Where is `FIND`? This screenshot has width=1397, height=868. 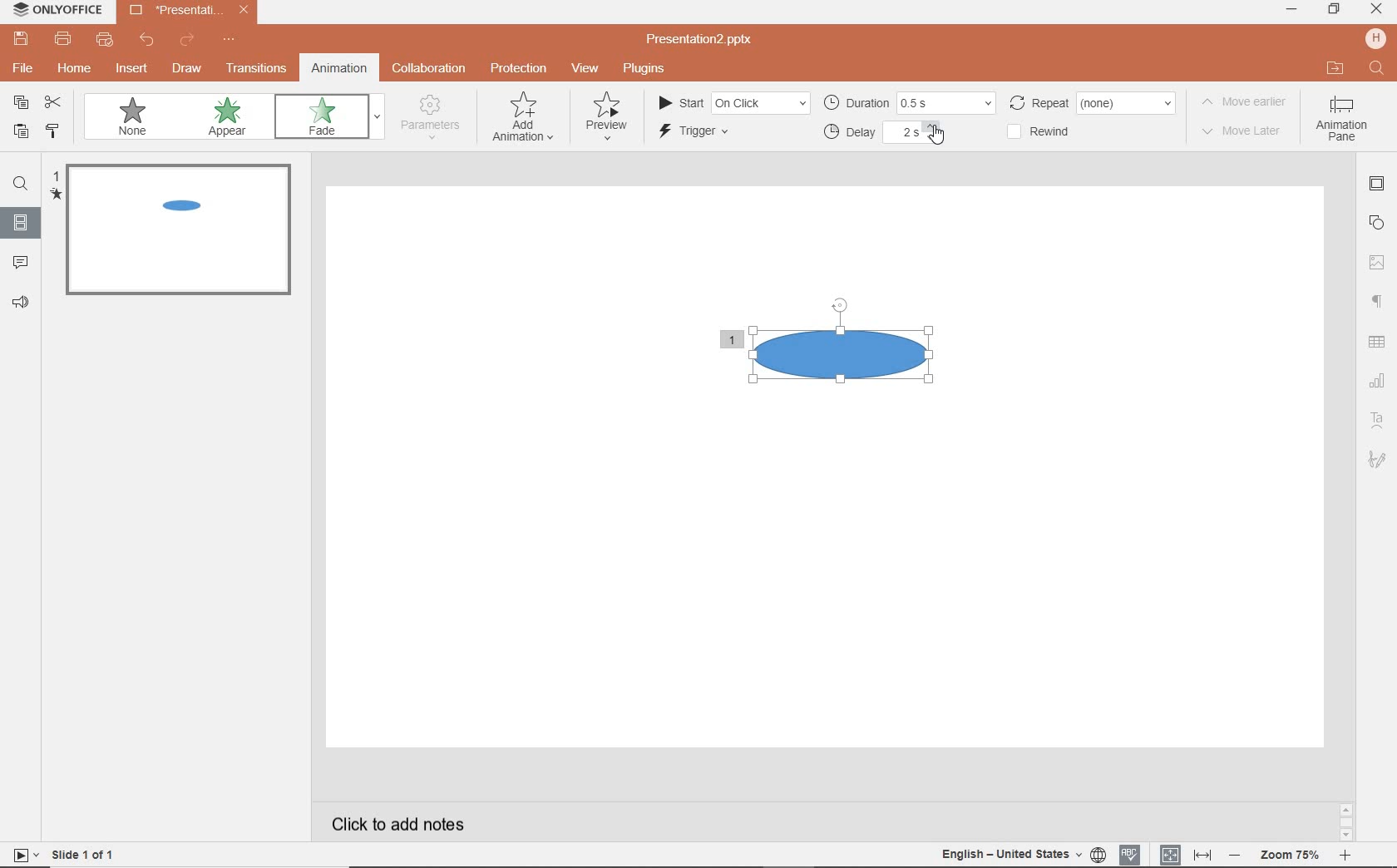
FIND is located at coordinates (22, 185).